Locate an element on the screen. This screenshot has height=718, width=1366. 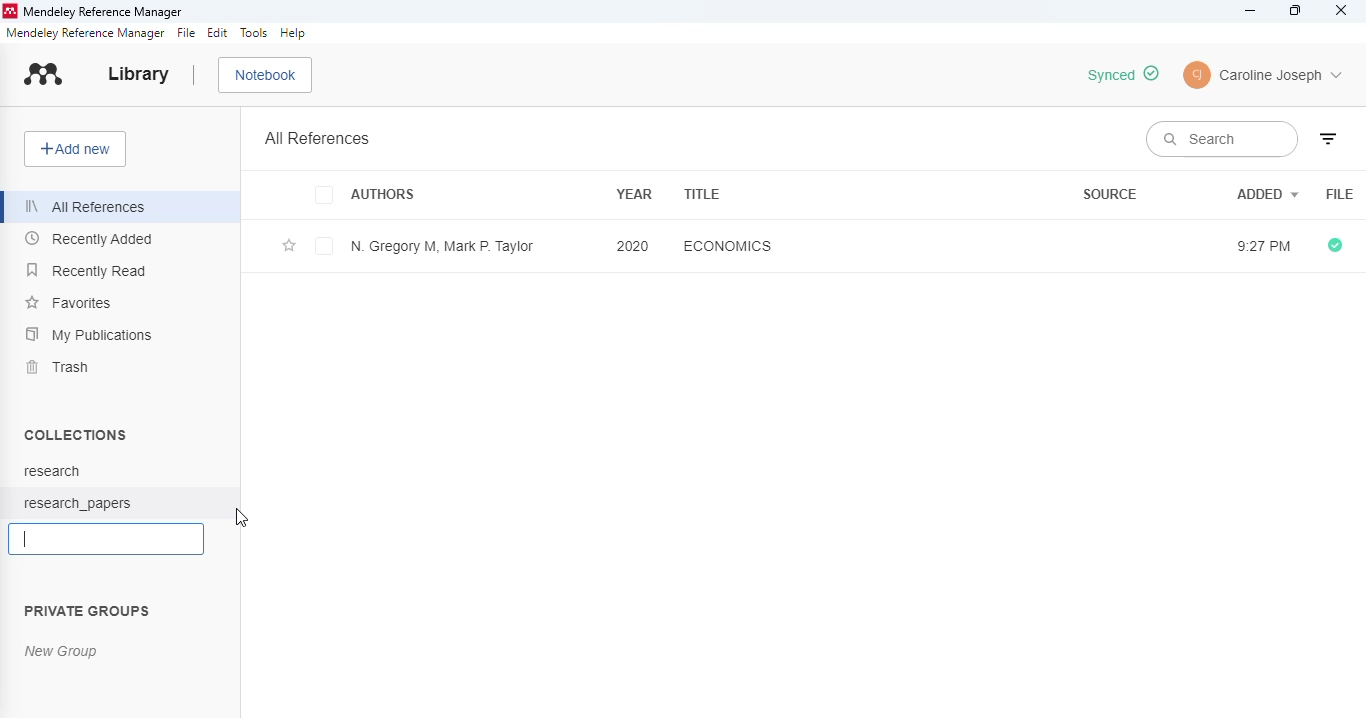
private groups is located at coordinates (88, 610).